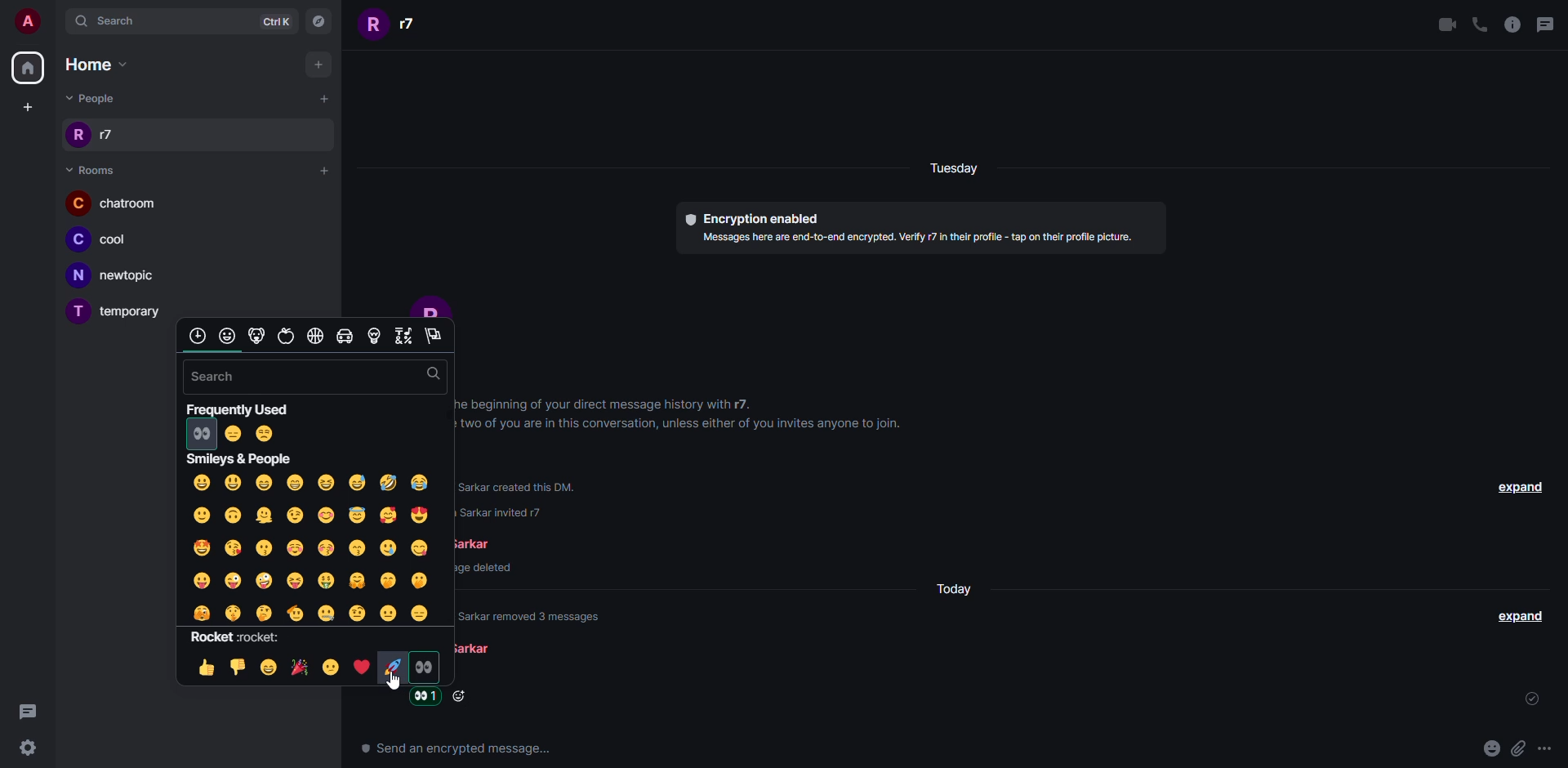 The image size is (1568, 768). What do you see at coordinates (916, 242) in the screenshot?
I see `info` at bounding box center [916, 242].